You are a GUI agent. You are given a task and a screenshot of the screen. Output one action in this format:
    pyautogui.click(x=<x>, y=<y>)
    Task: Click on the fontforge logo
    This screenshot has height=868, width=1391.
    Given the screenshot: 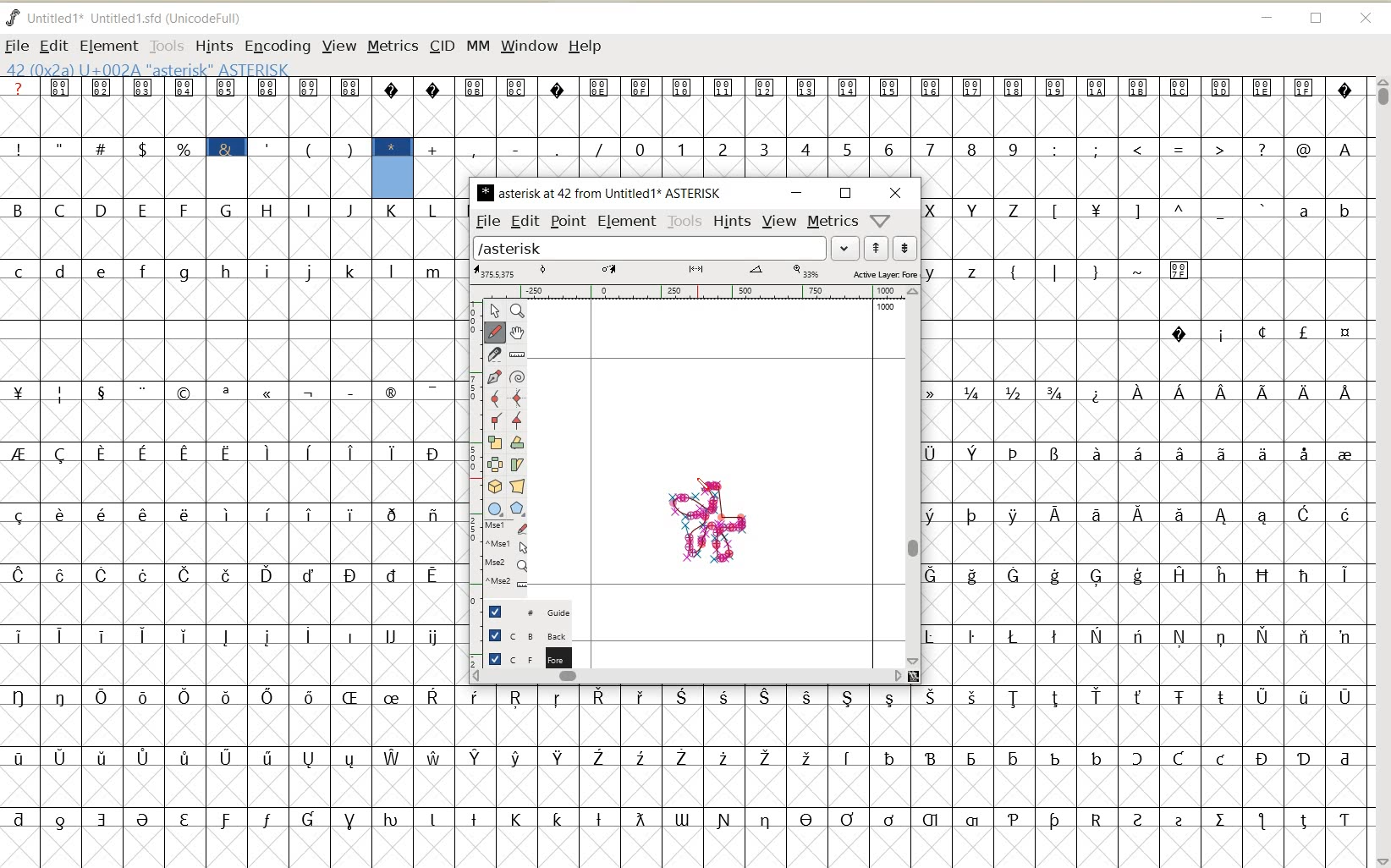 What is the action you would take?
    pyautogui.click(x=14, y=16)
    